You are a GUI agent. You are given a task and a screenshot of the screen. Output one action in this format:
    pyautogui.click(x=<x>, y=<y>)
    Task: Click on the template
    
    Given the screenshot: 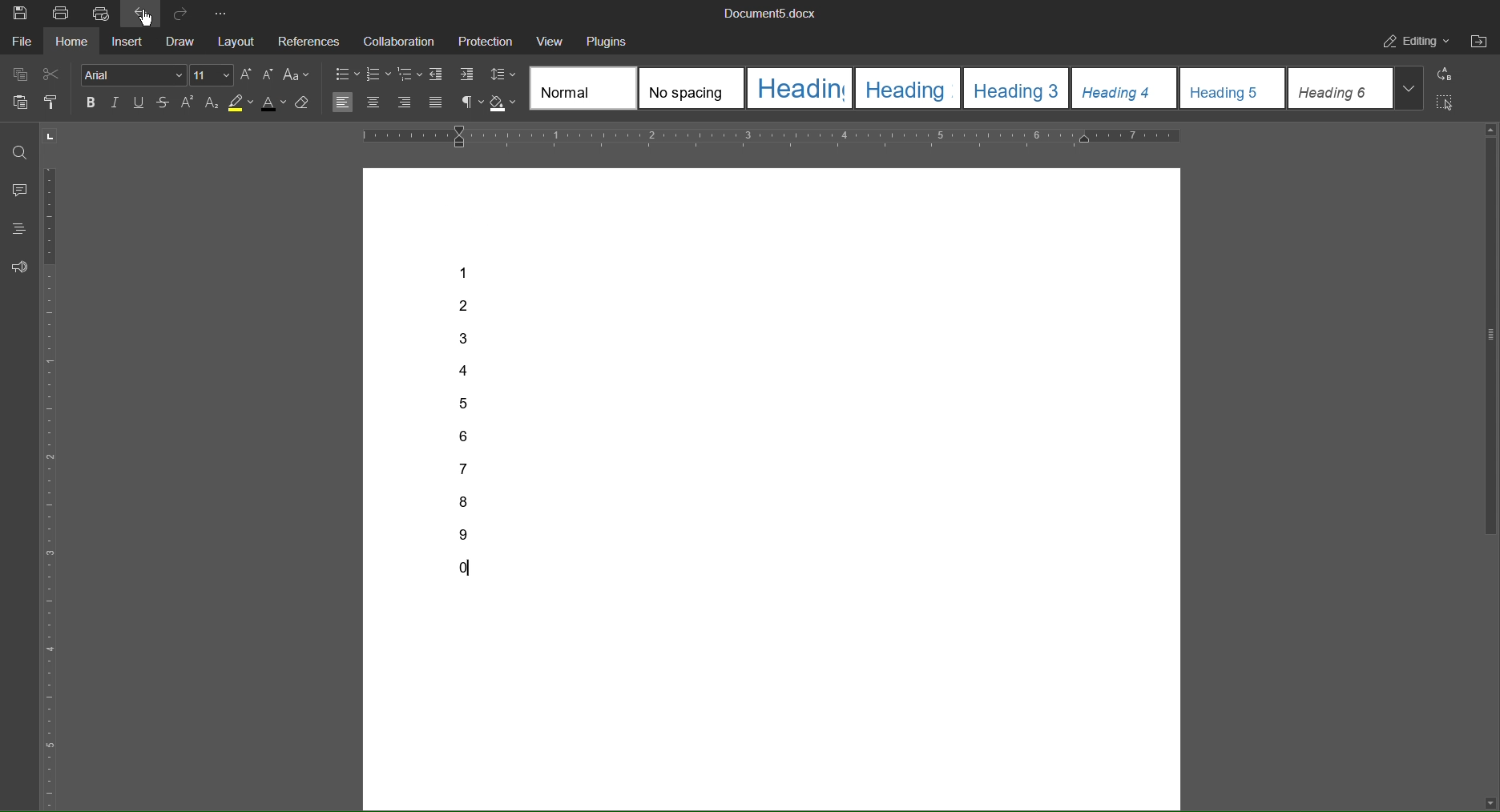 What is the action you would take?
    pyautogui.click(x=1124, y=88)
    